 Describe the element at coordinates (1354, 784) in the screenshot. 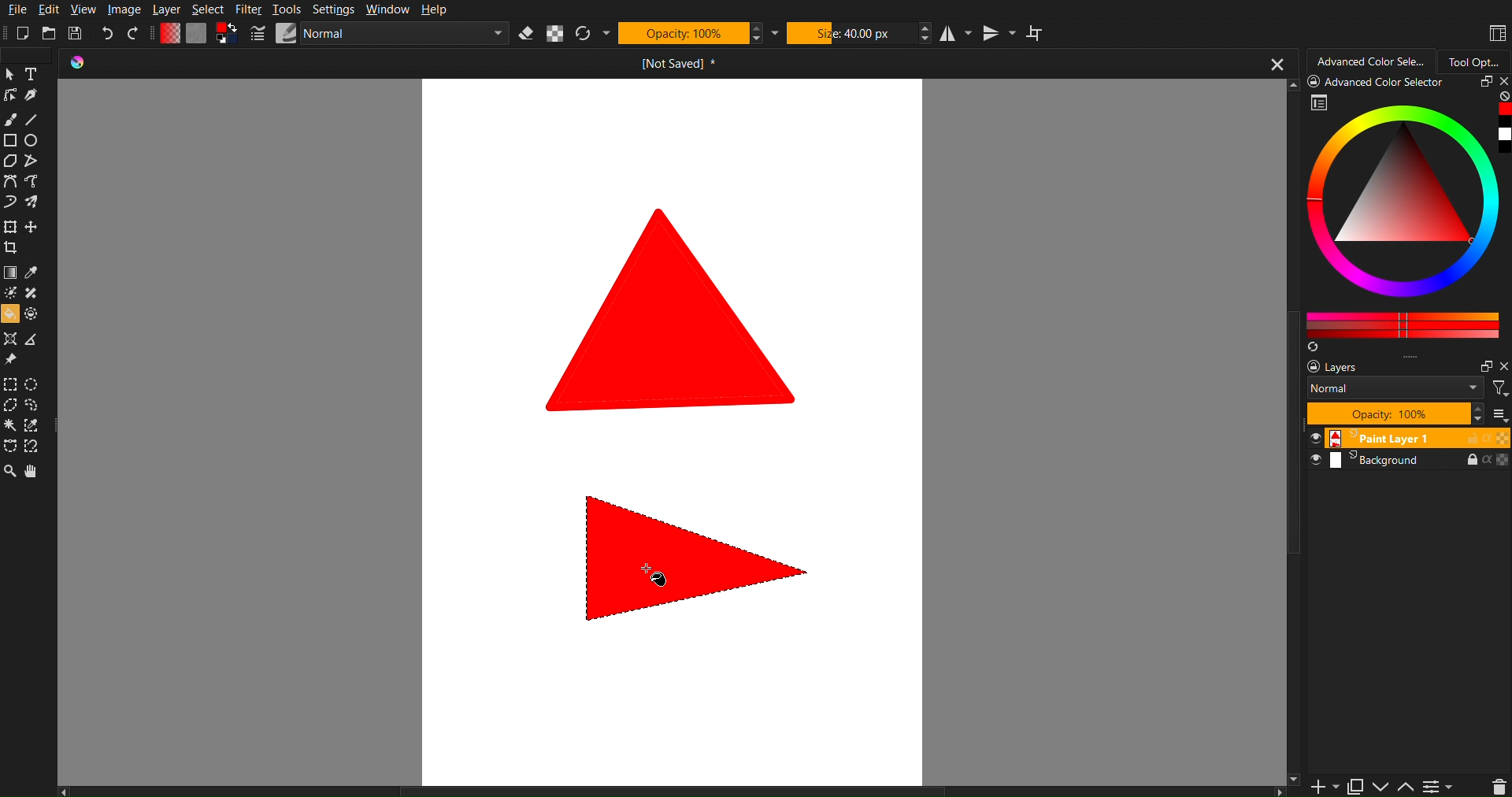

I see `Paste` at that location.